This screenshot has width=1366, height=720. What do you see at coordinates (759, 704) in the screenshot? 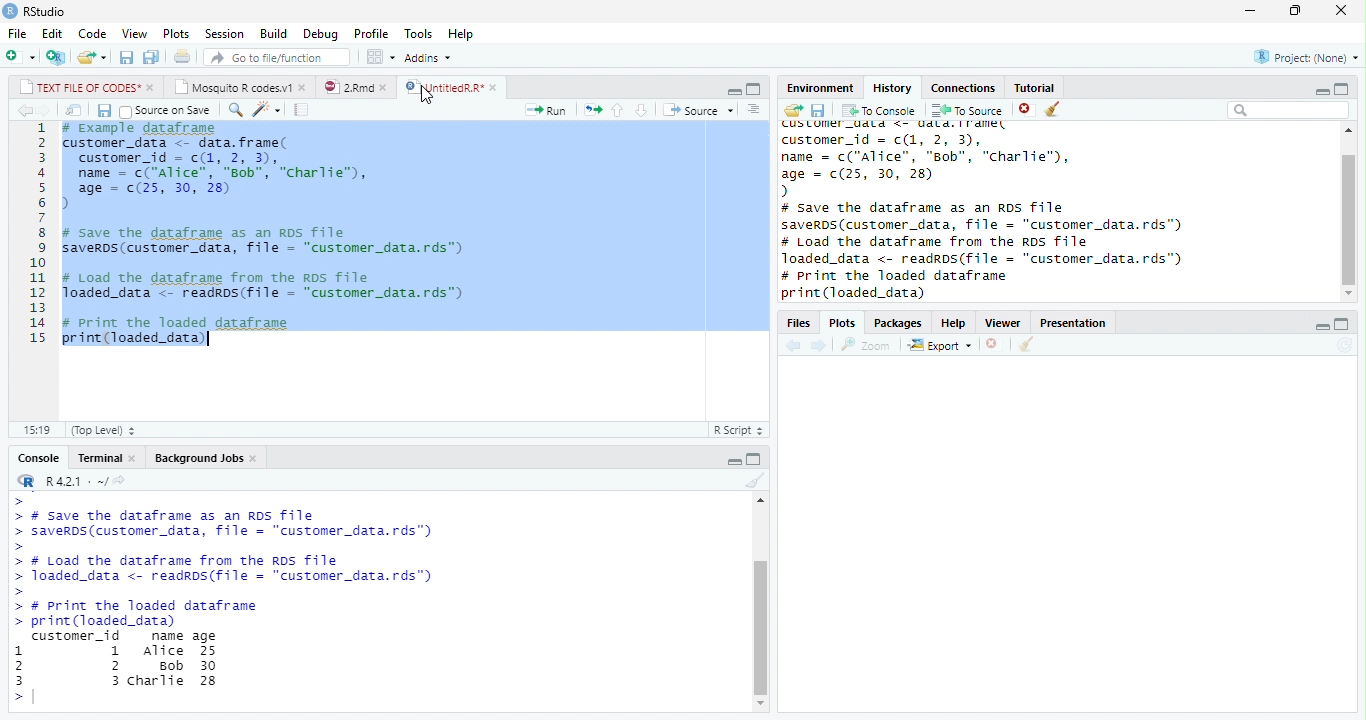
I see `scroll down` at bounding box center [759, 704].